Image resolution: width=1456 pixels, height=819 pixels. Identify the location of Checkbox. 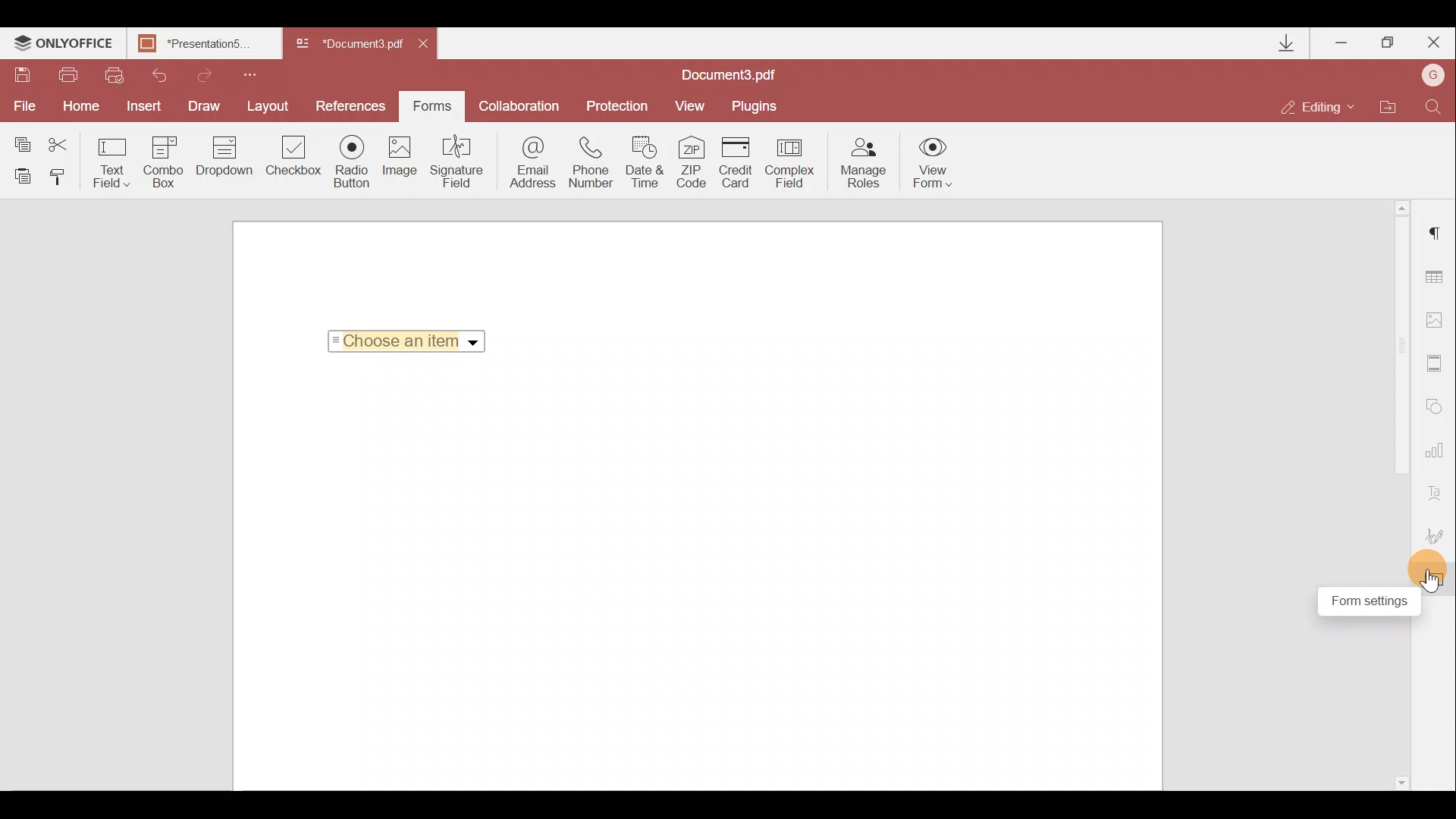
(291, 158).